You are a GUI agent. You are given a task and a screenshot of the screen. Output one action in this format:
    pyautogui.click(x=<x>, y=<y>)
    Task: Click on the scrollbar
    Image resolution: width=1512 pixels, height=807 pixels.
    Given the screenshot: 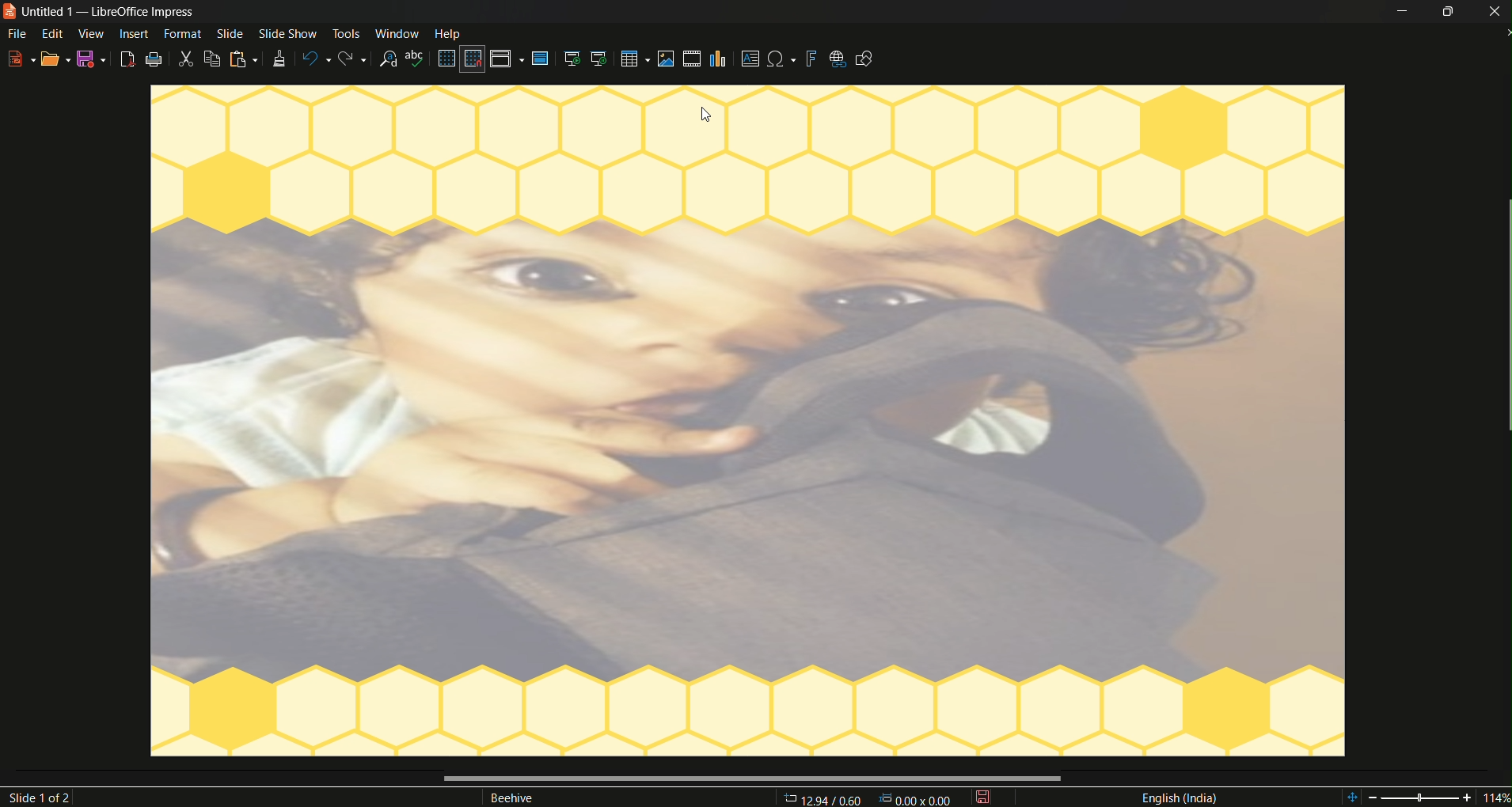 What is the action you would take?
    pyautogui.click(x=1503, y=317)
    